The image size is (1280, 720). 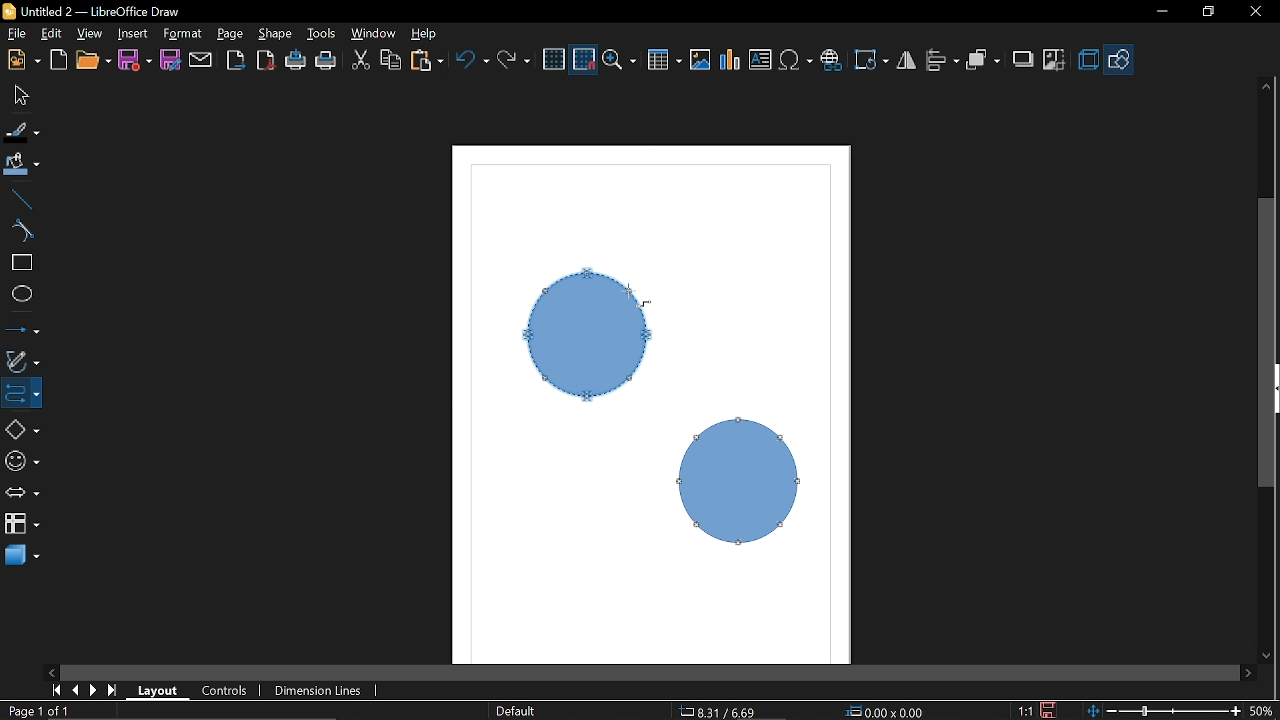 I want to click on Location, so click(x=888, y=711).